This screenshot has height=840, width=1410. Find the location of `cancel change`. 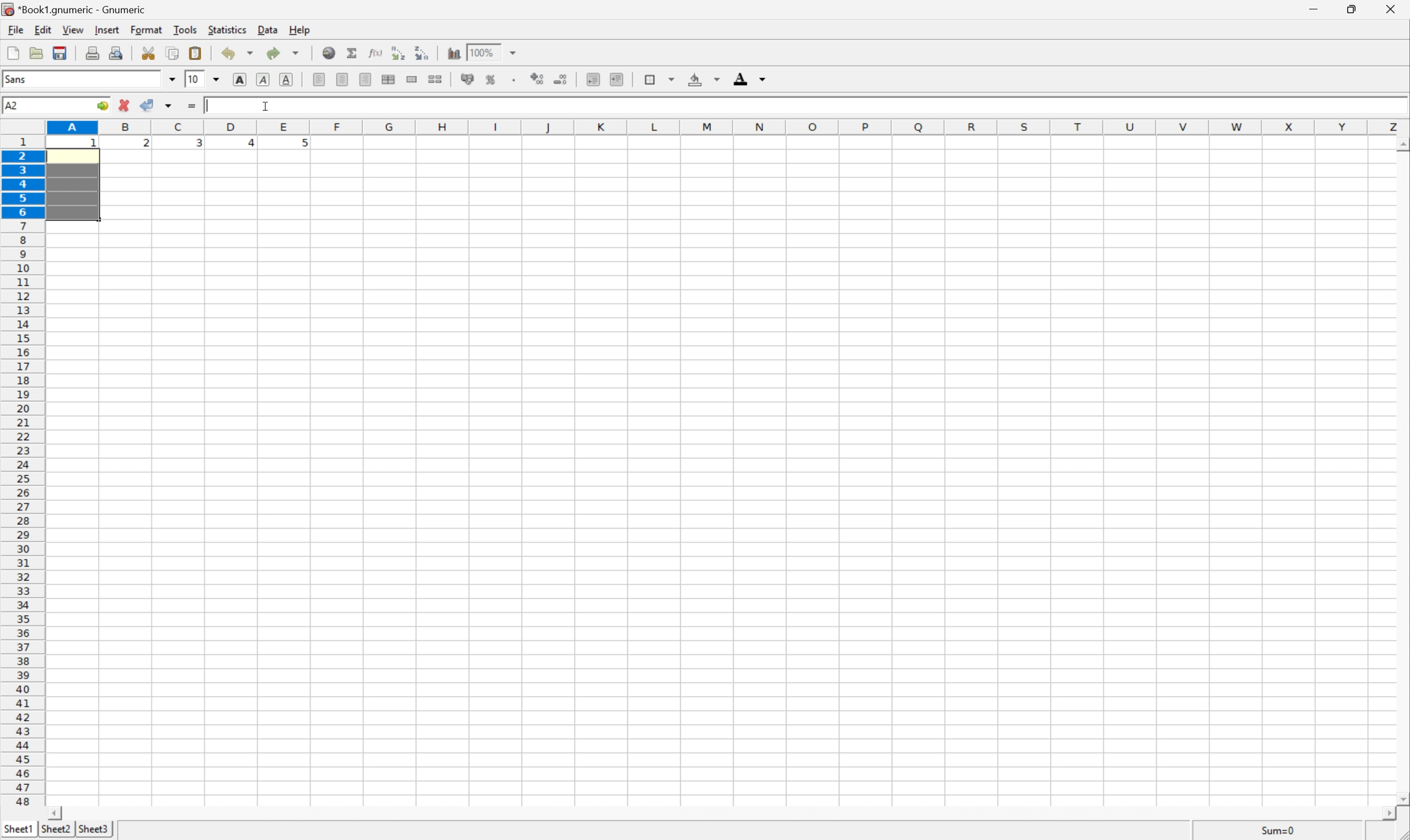

cancel change is located at coordinates (125, 105).